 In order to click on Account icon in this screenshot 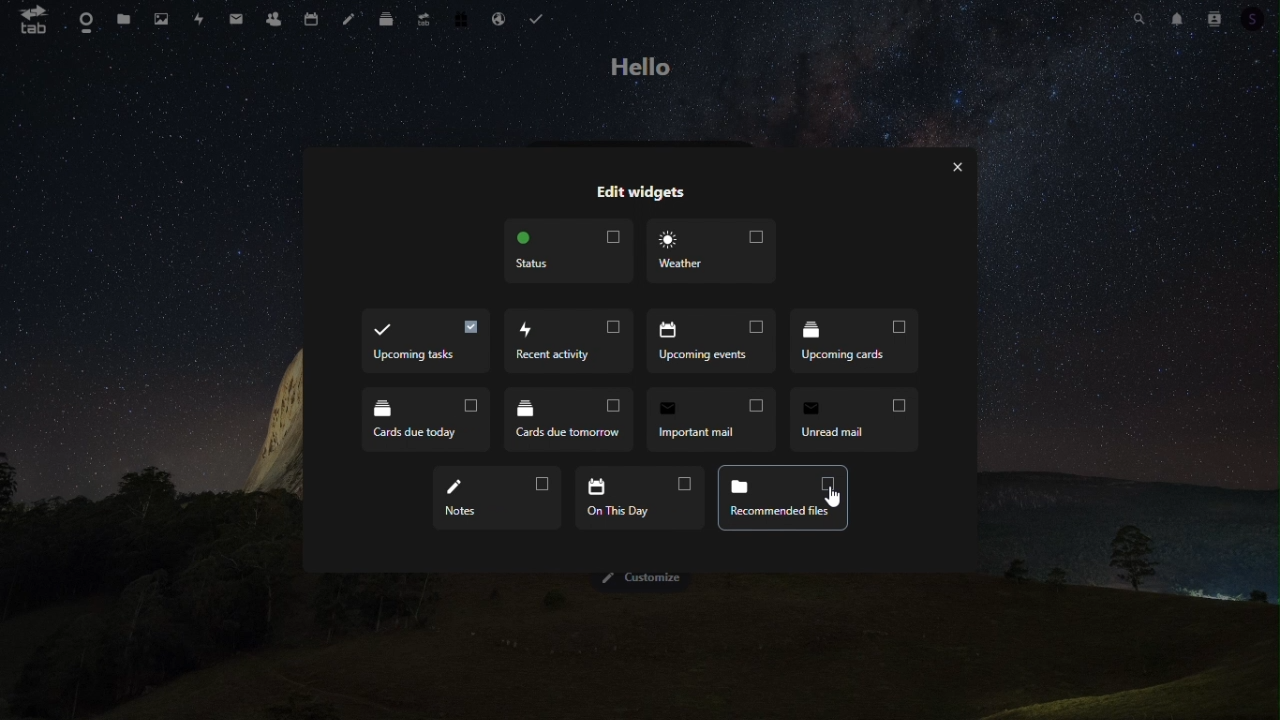, I will do `click(1255, 19)`.